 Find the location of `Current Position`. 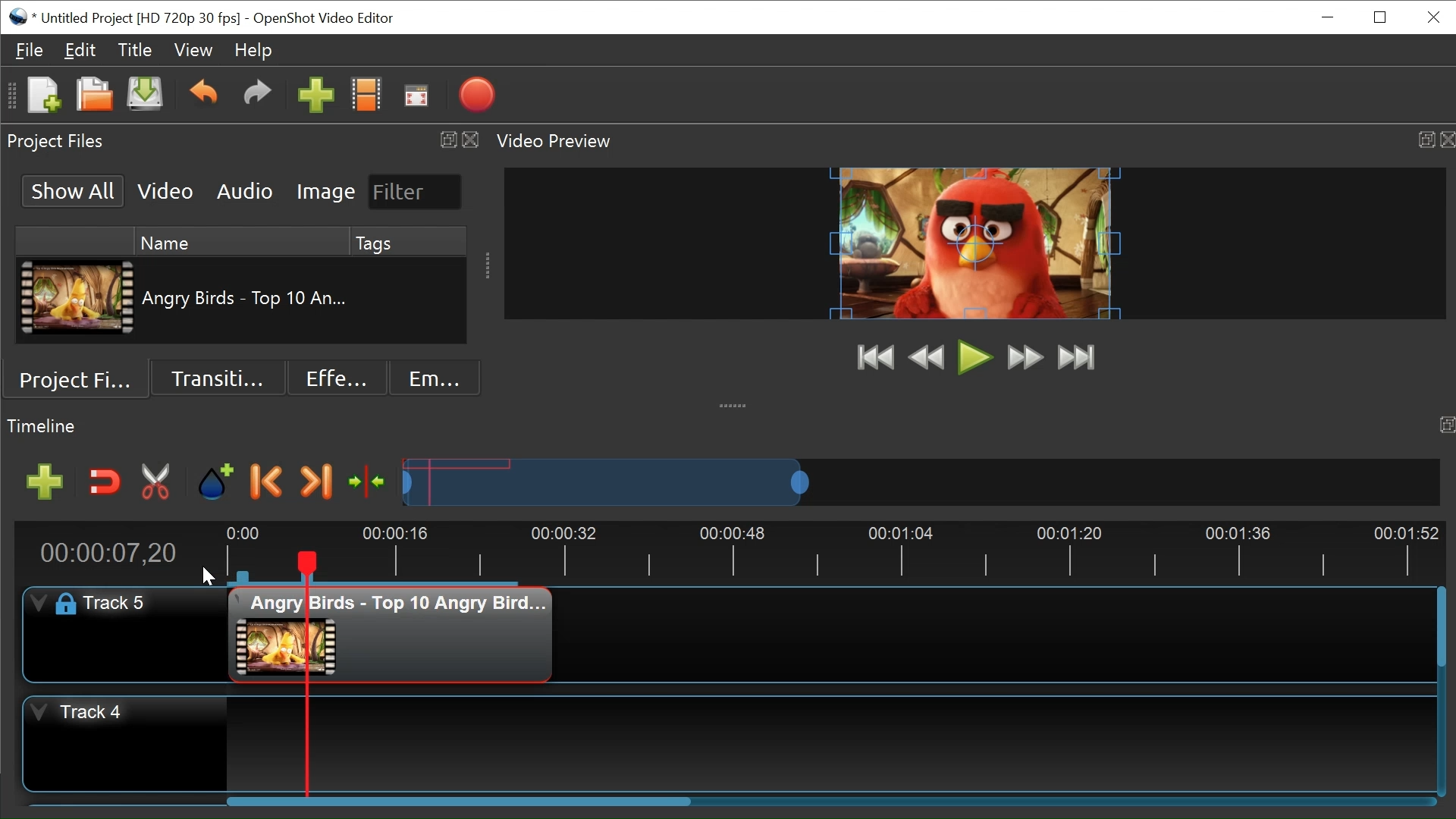

Current Position is located at coordinates (112, 552).